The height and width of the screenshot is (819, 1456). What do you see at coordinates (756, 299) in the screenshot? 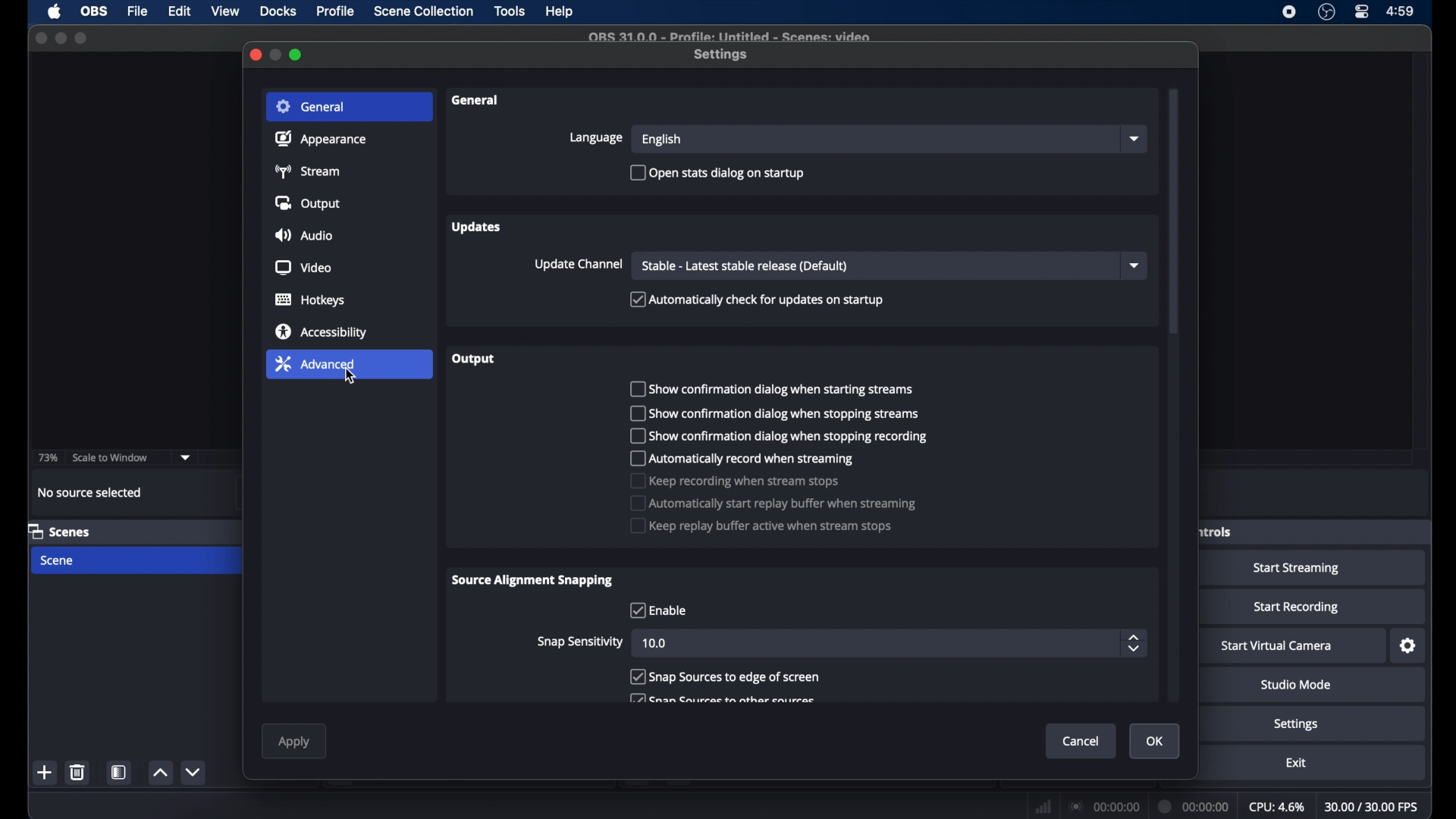
I see `automatically check for updates on startup` at bounding box center [756, 299].